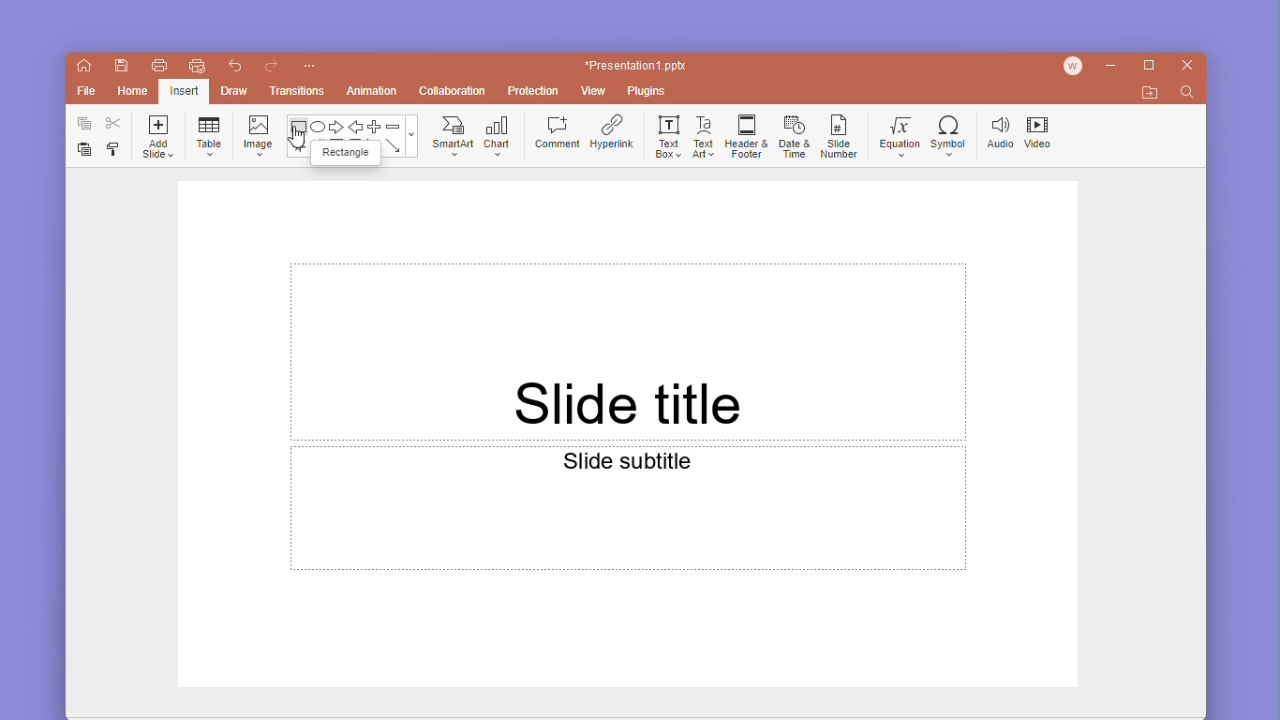 The width and height of the screenshot is (1280, 720). Describe the element at coordinates (896, 132) in the screenshot. I see `equation` at that location.